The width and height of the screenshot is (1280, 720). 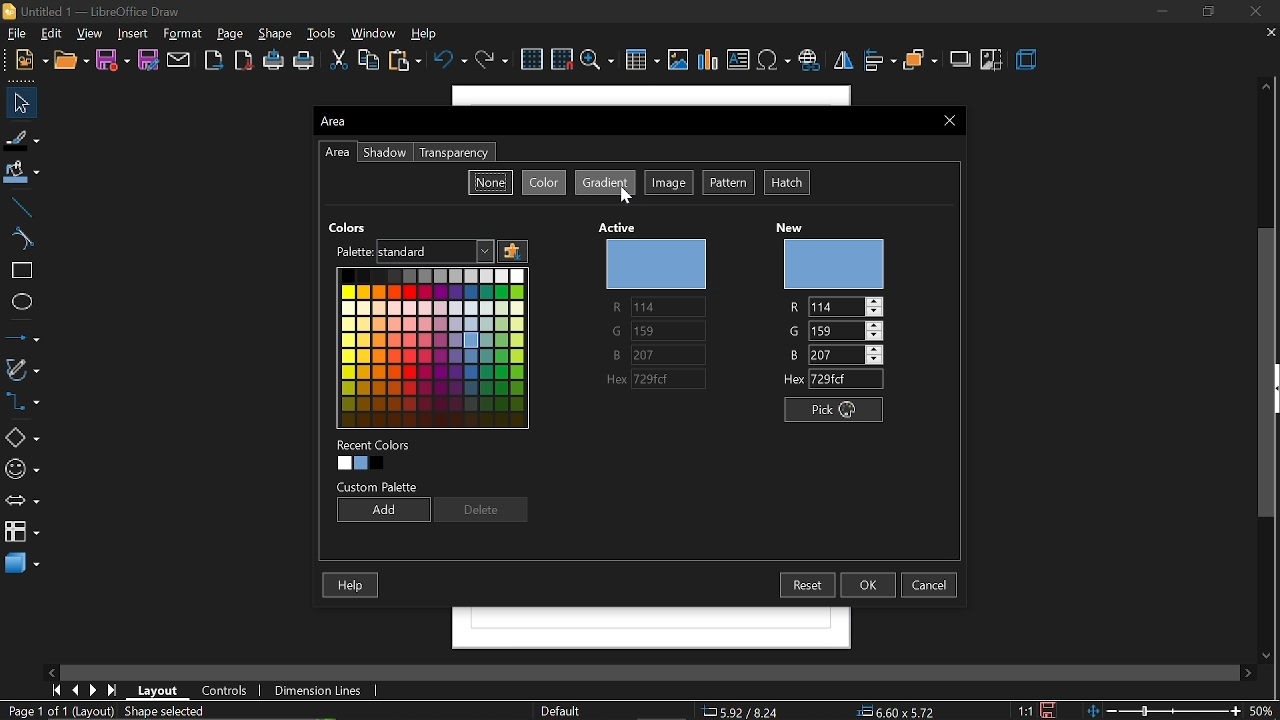 I want to click on new B, so click(x=834, y=355).